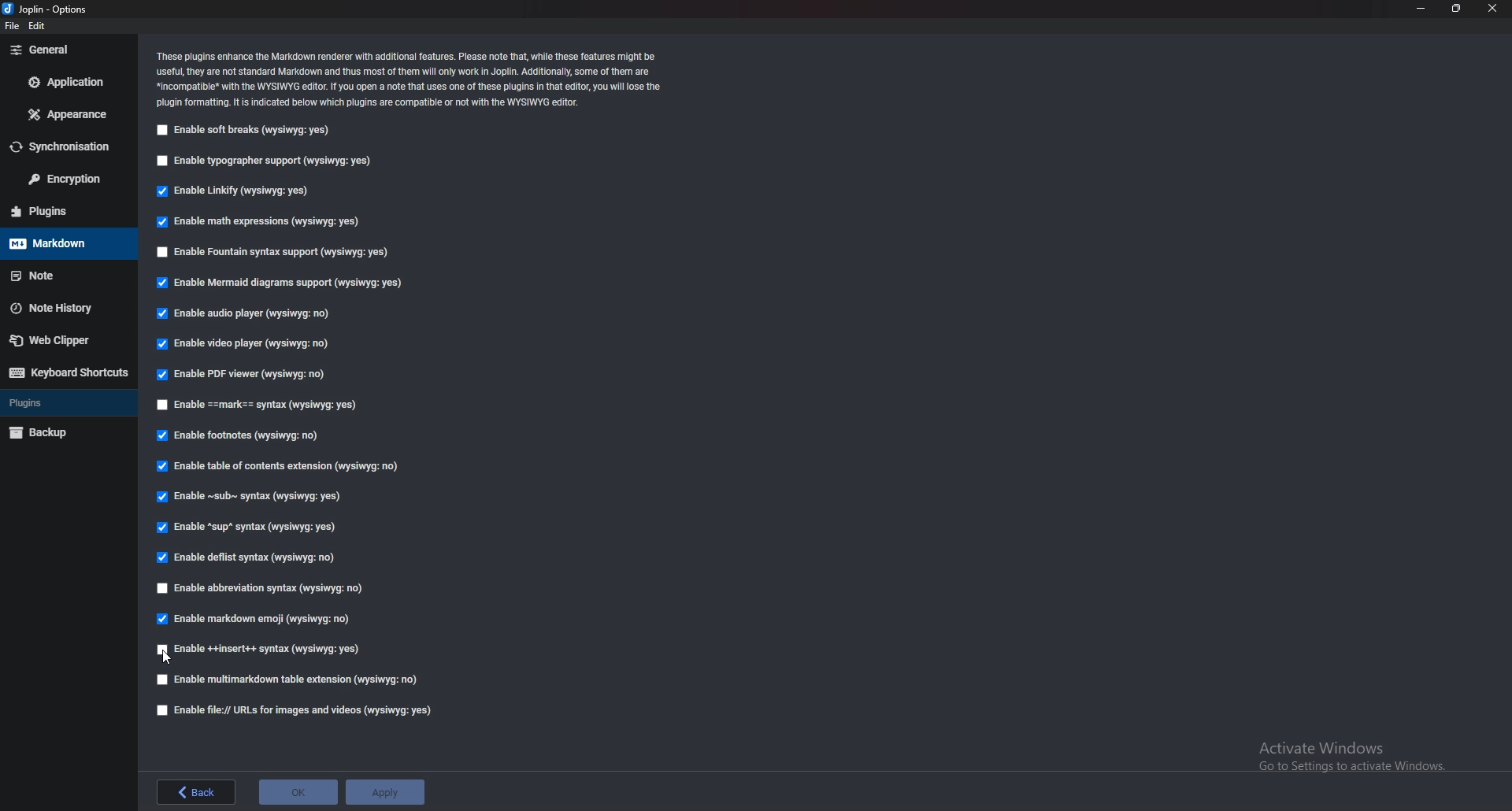 The width and height of the screenshot is (1512, 811). I want to click on Enable table of contents extension, so click(280, 469).